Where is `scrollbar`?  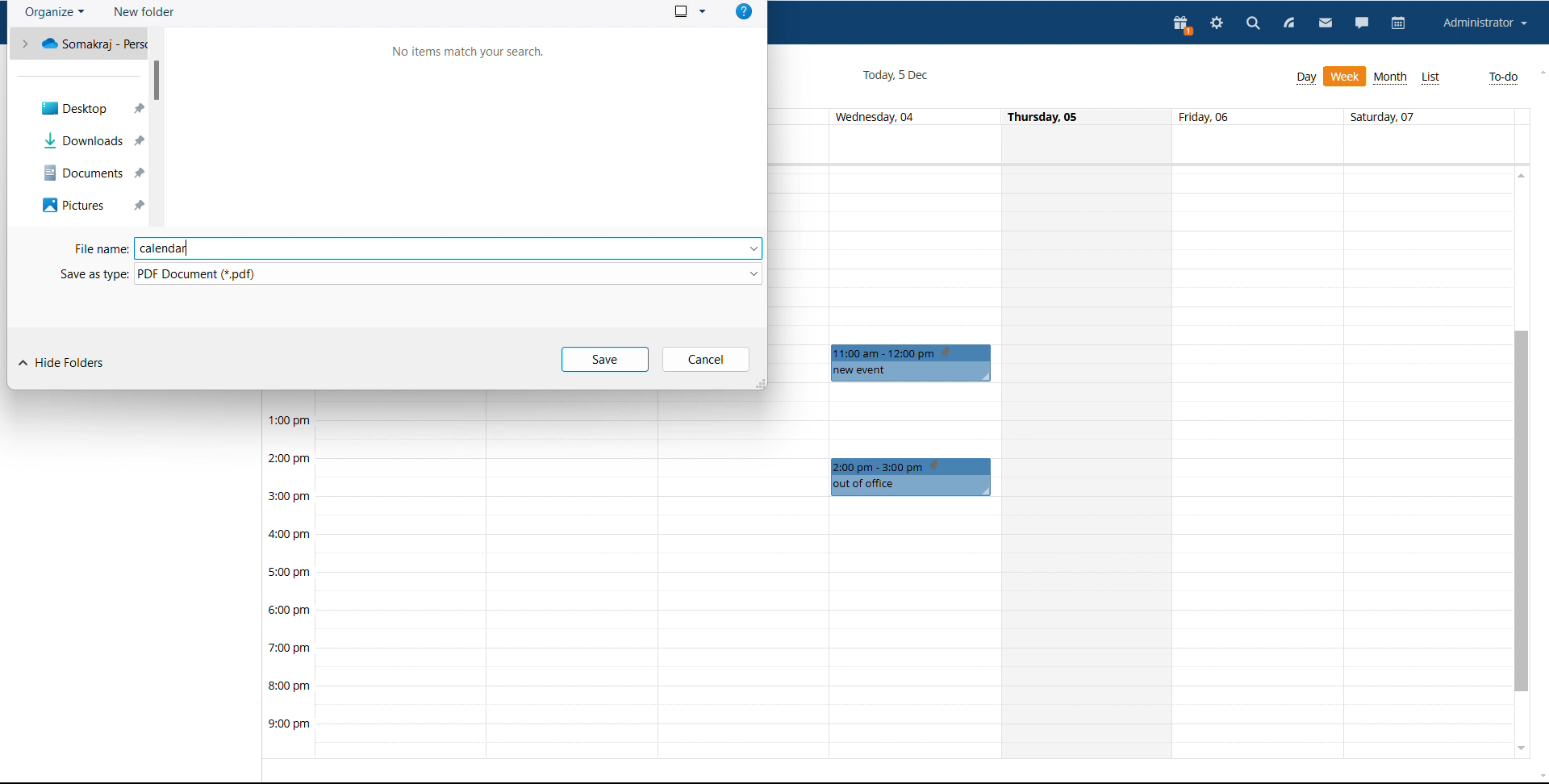
scrollbar is located at coordinates (1522, 511).